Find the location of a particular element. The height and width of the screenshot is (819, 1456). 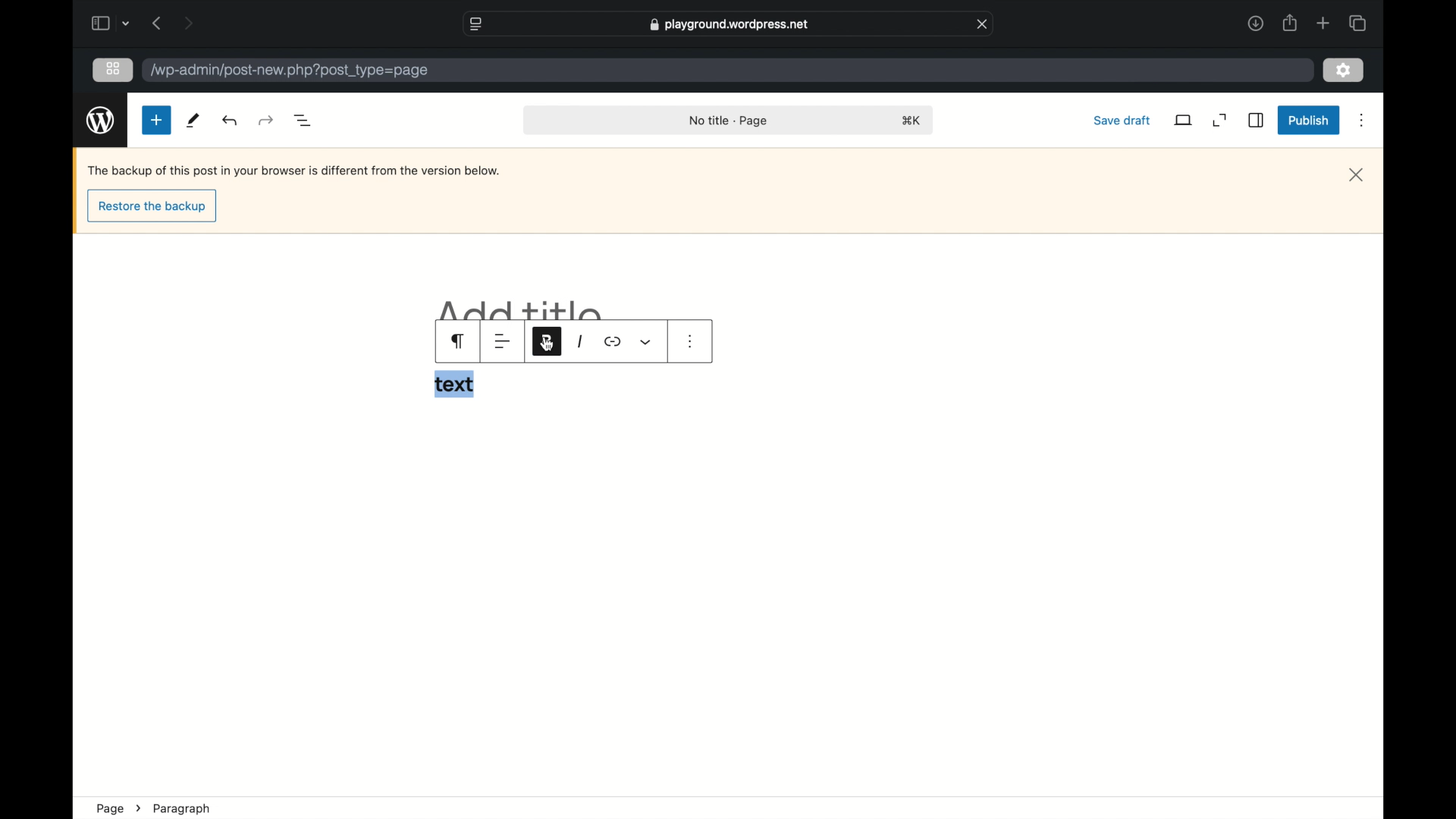

paragraph is located at coordinates (183, 809).